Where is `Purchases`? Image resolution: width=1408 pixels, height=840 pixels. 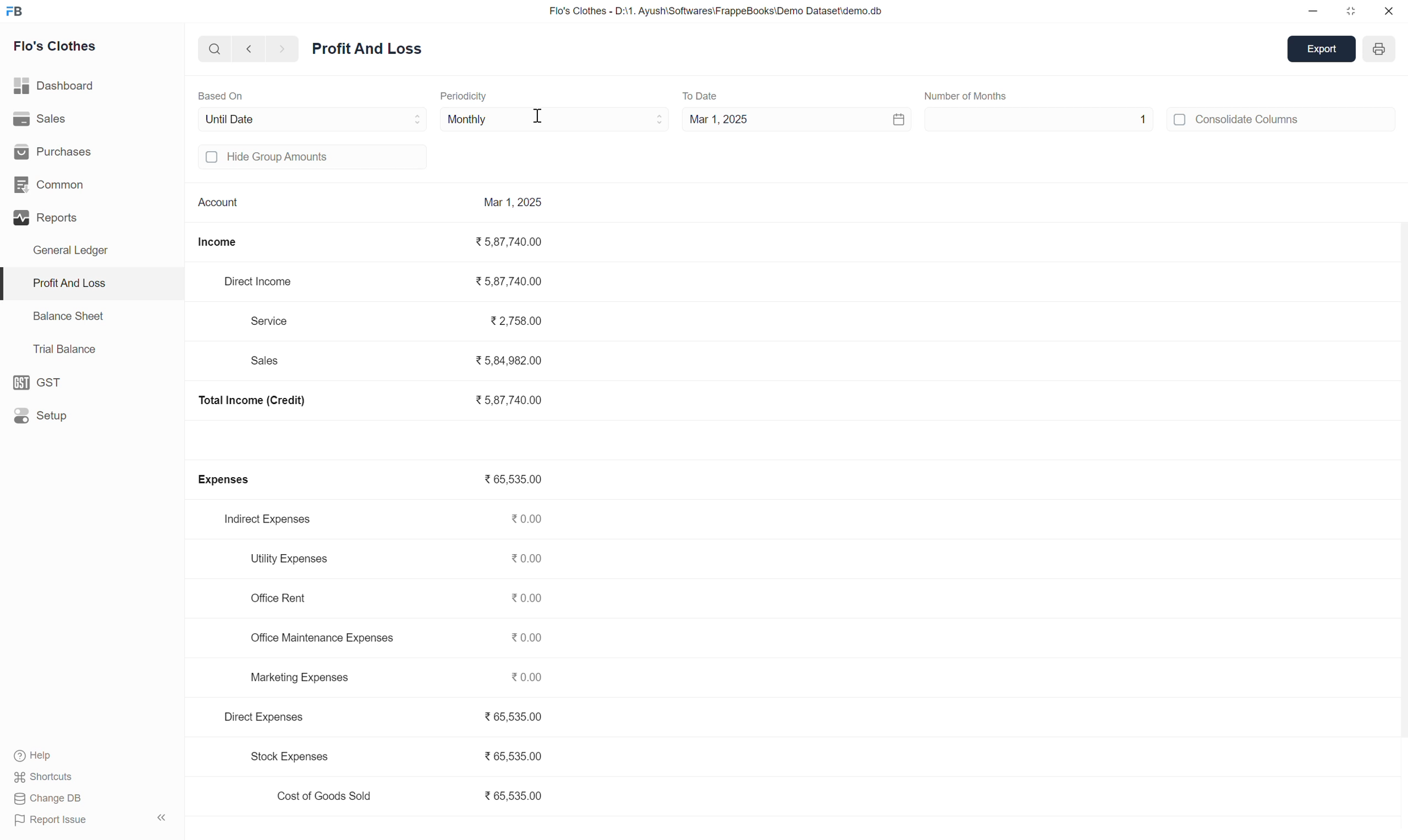
Purchases is located at coordinates (54, 155).